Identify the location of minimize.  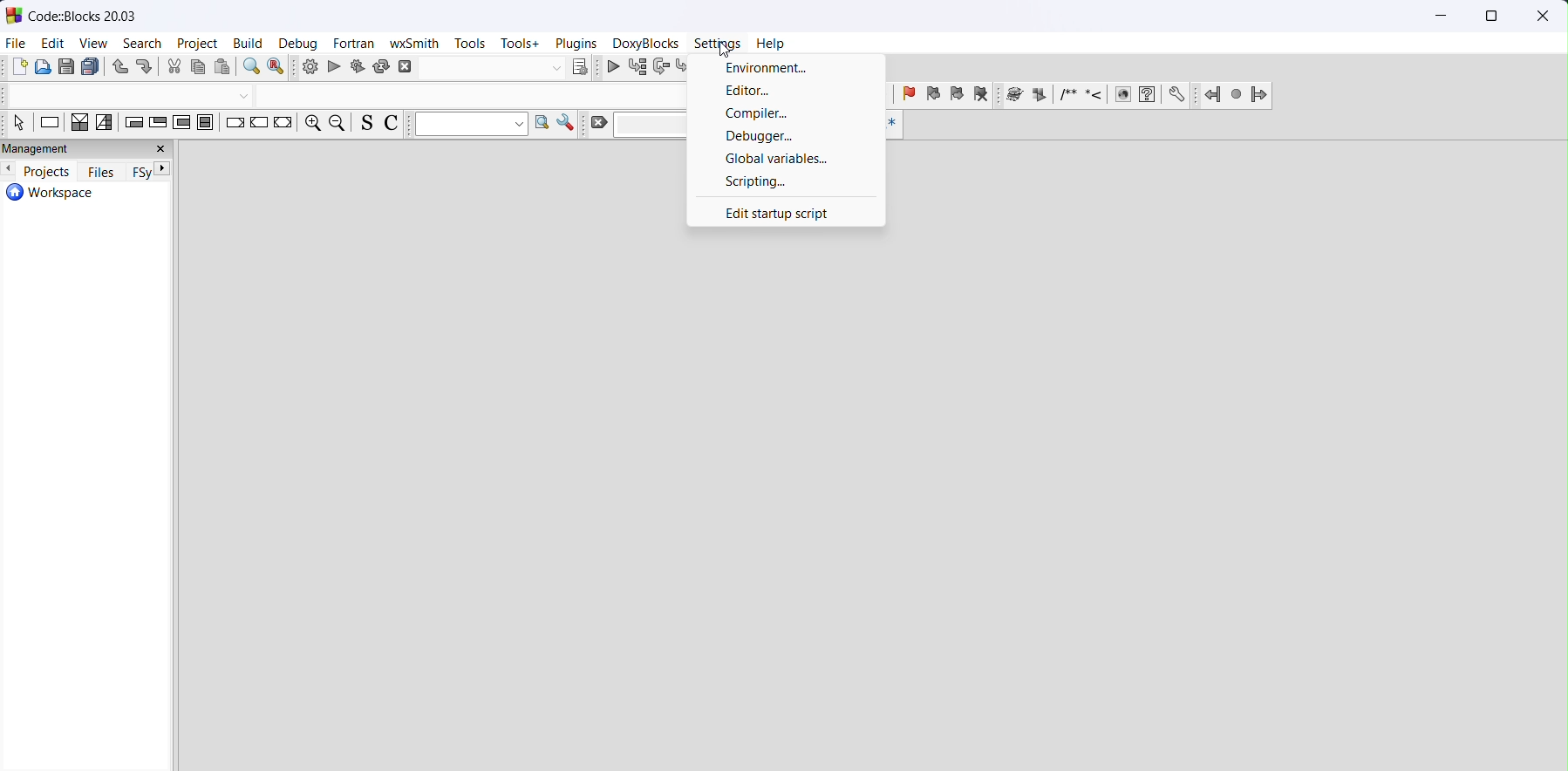
(1442, 17).